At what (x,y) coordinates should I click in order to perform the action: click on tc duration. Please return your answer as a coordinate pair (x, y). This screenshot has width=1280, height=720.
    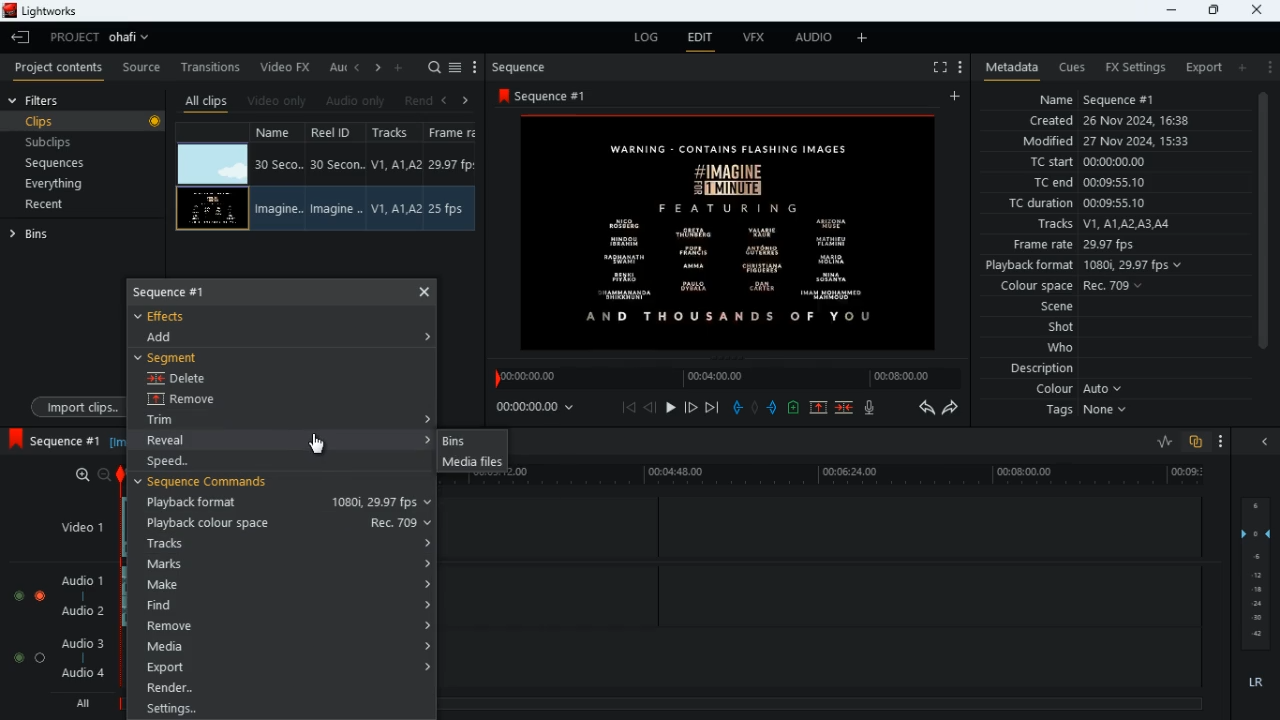
    Looking at the image, I should click on (1110, 205).